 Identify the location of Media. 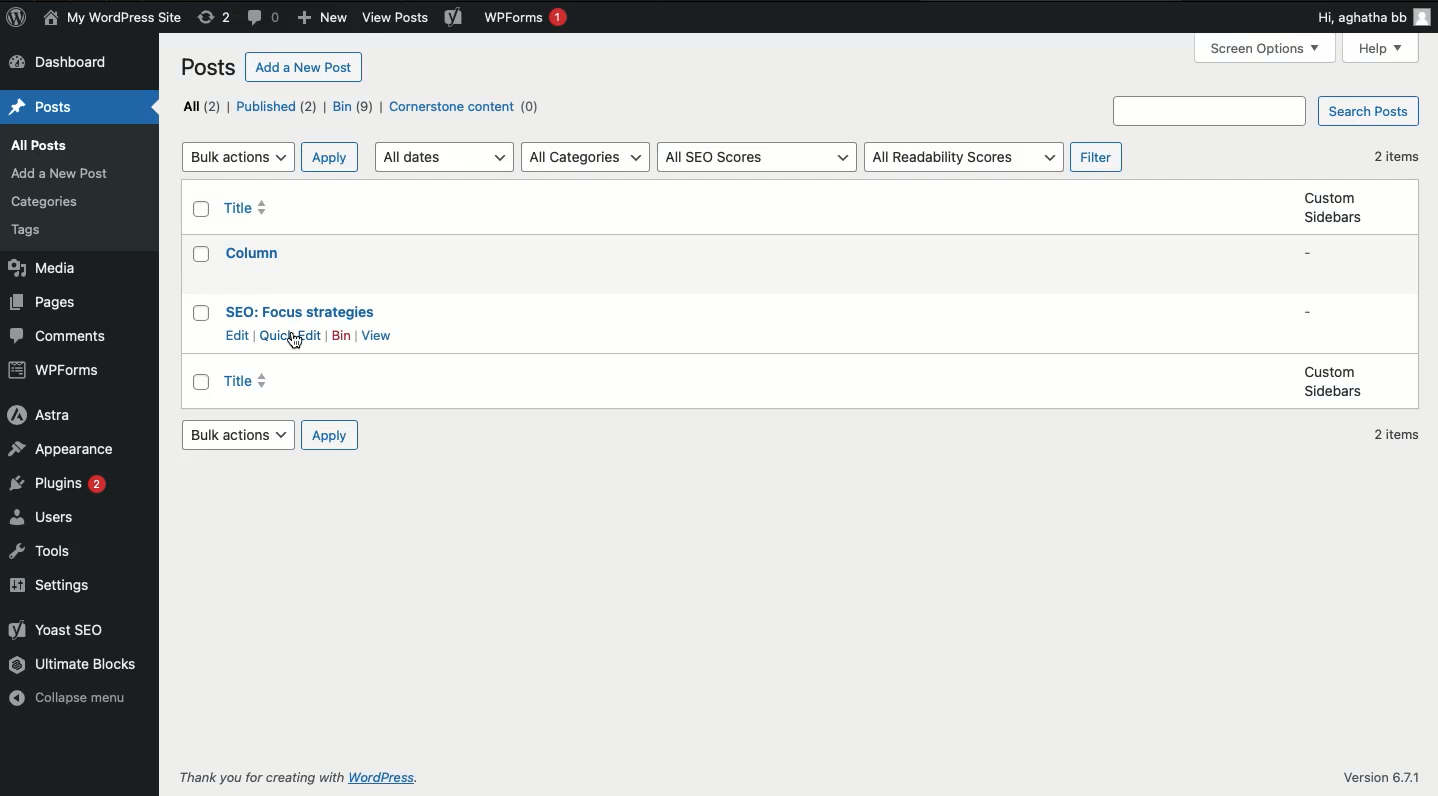
(40, 269).